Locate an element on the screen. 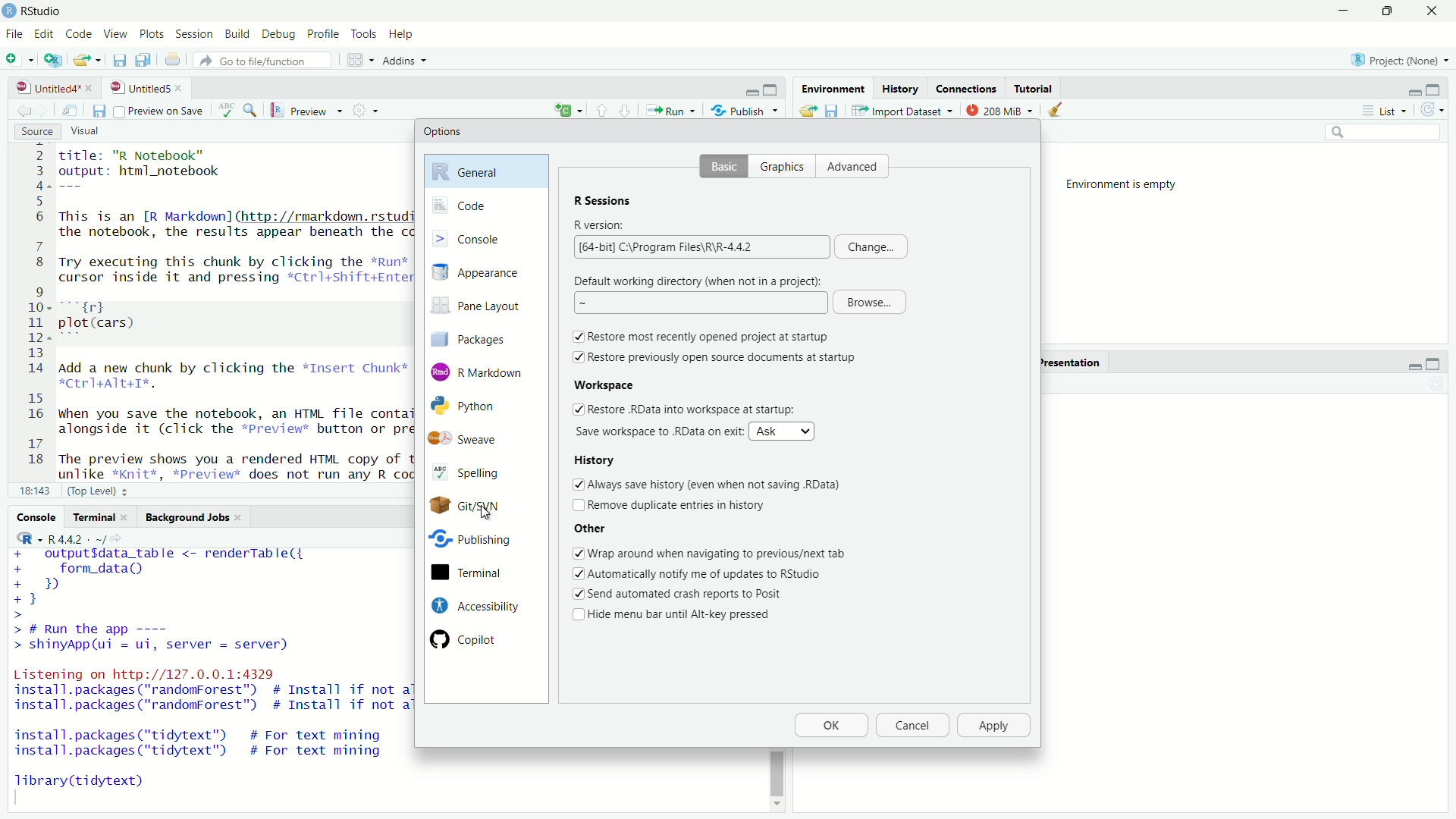 This screenshot has height=819, width=1456. close is located at coordinates (182, 88).